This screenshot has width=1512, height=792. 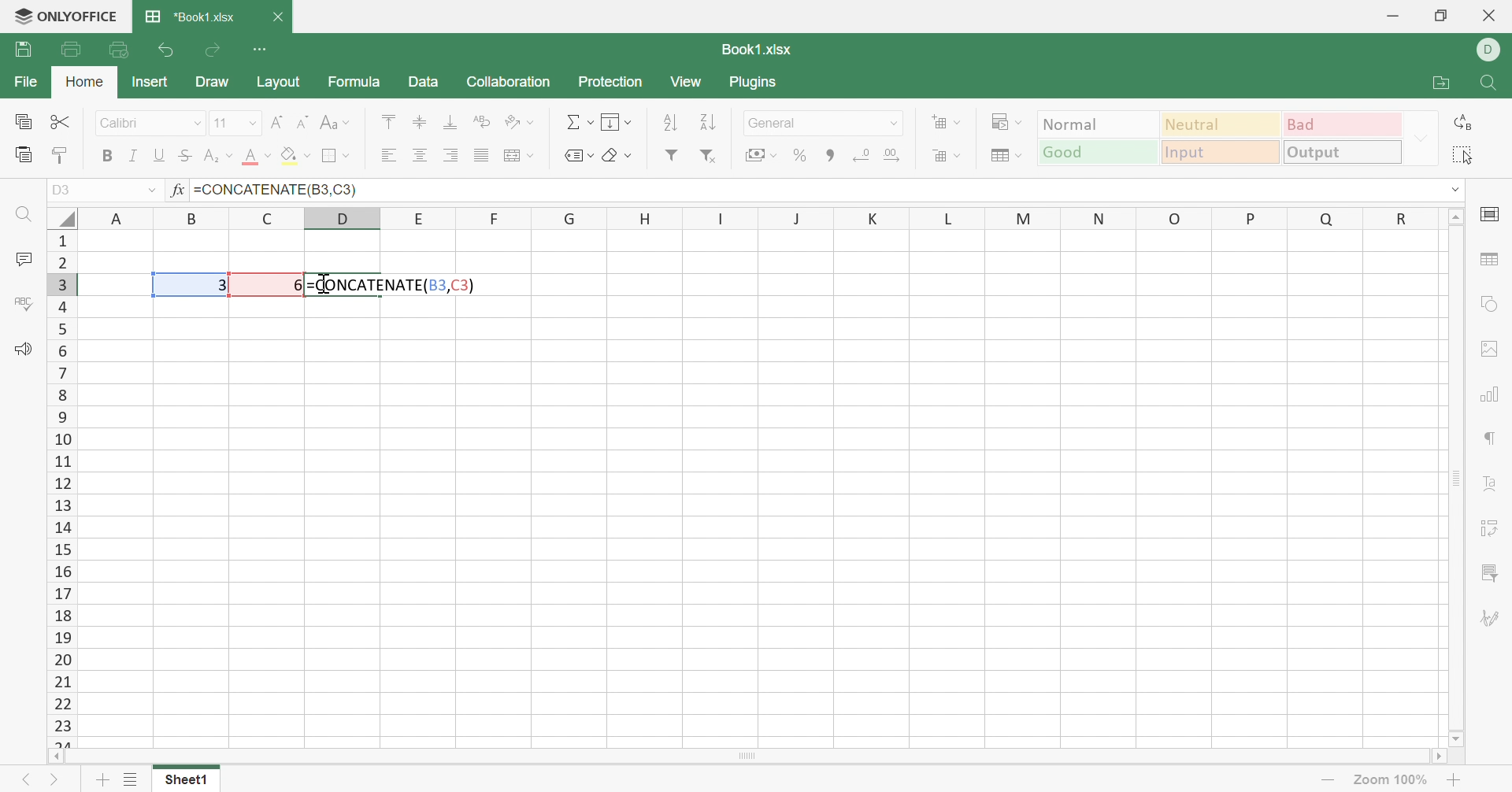 I want to click on Zoom in, so click(x=1455, y=779).